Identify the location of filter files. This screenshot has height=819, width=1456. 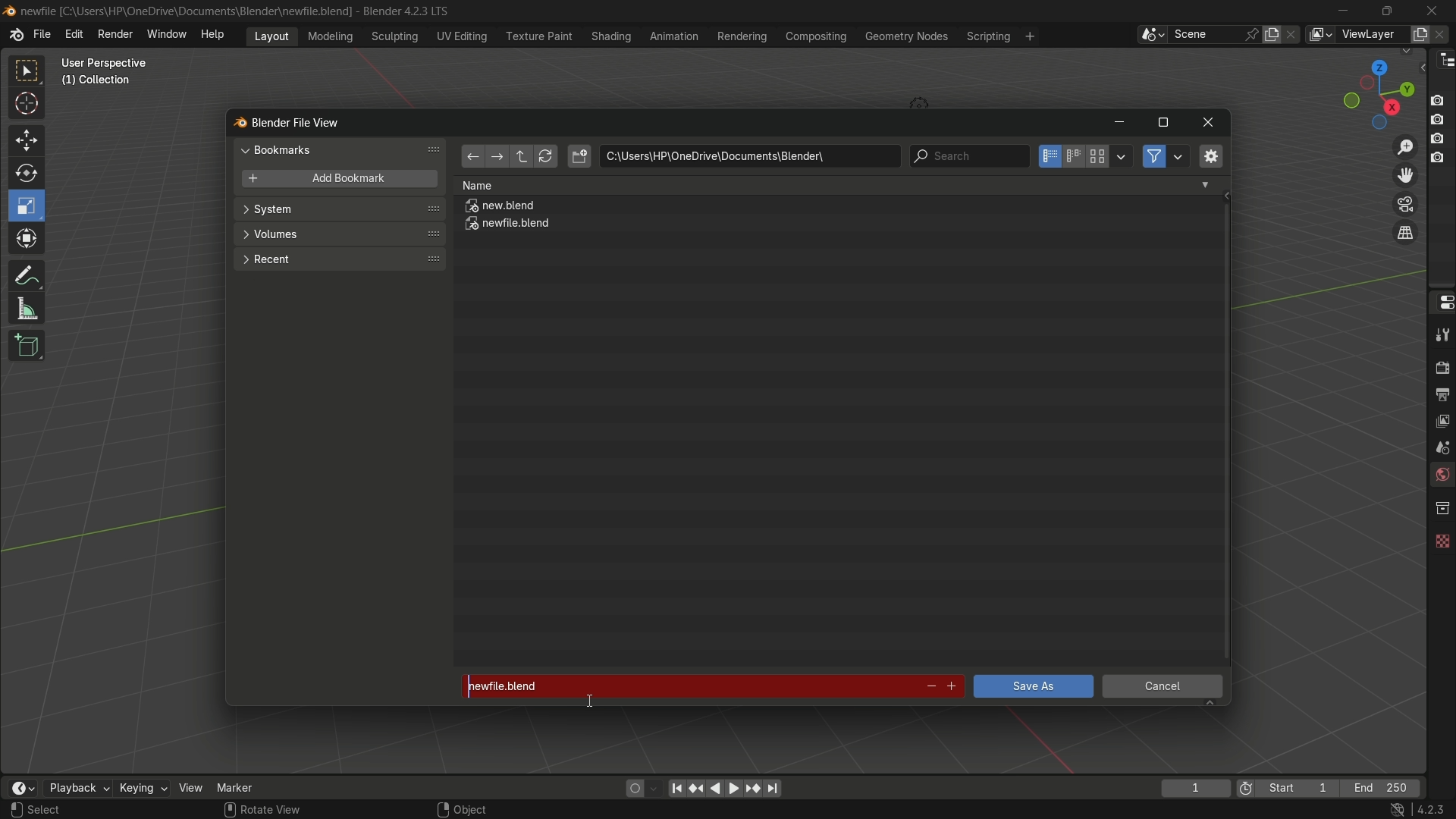
(1153, 156).